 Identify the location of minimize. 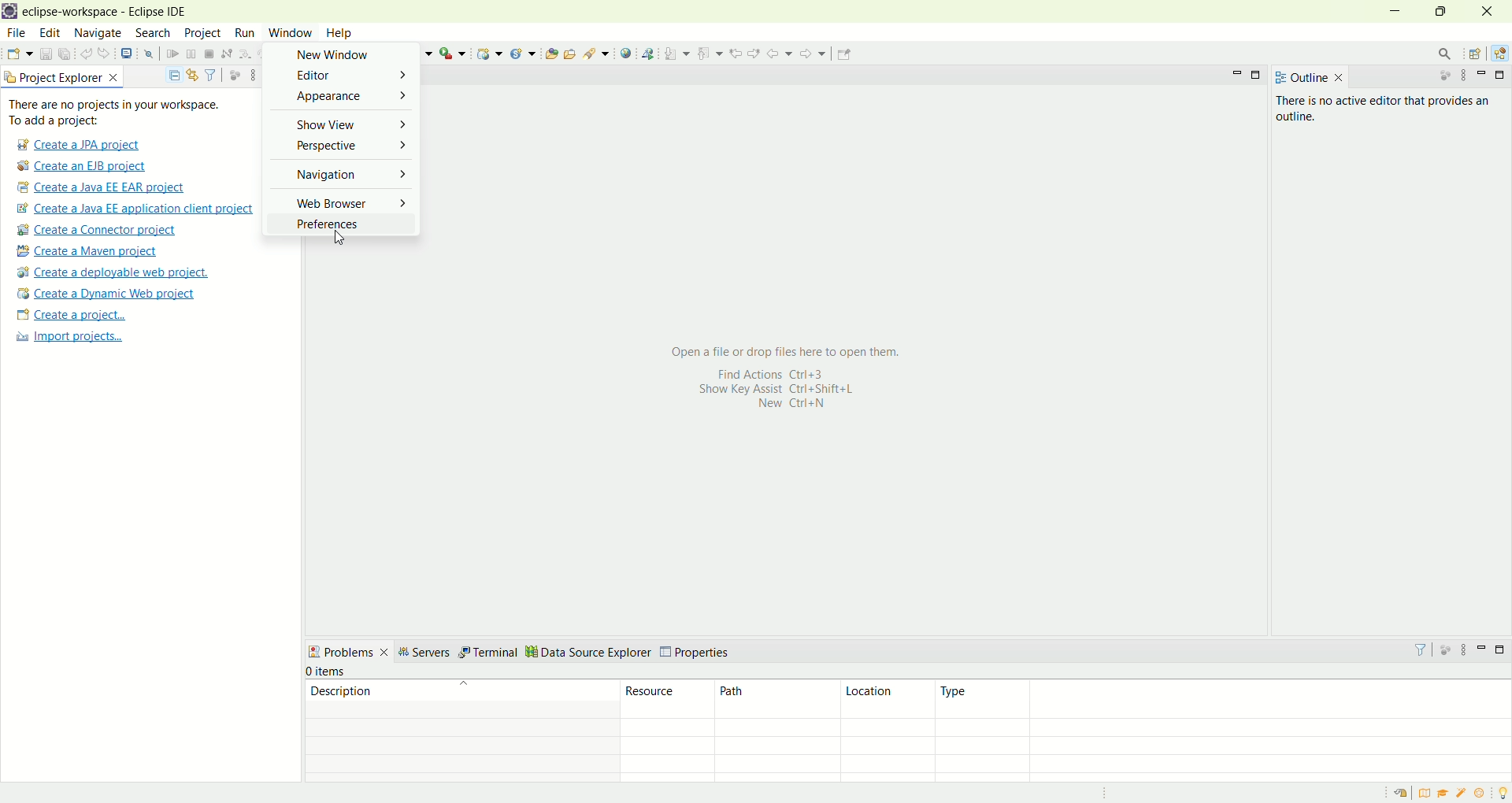
(1397, 12).